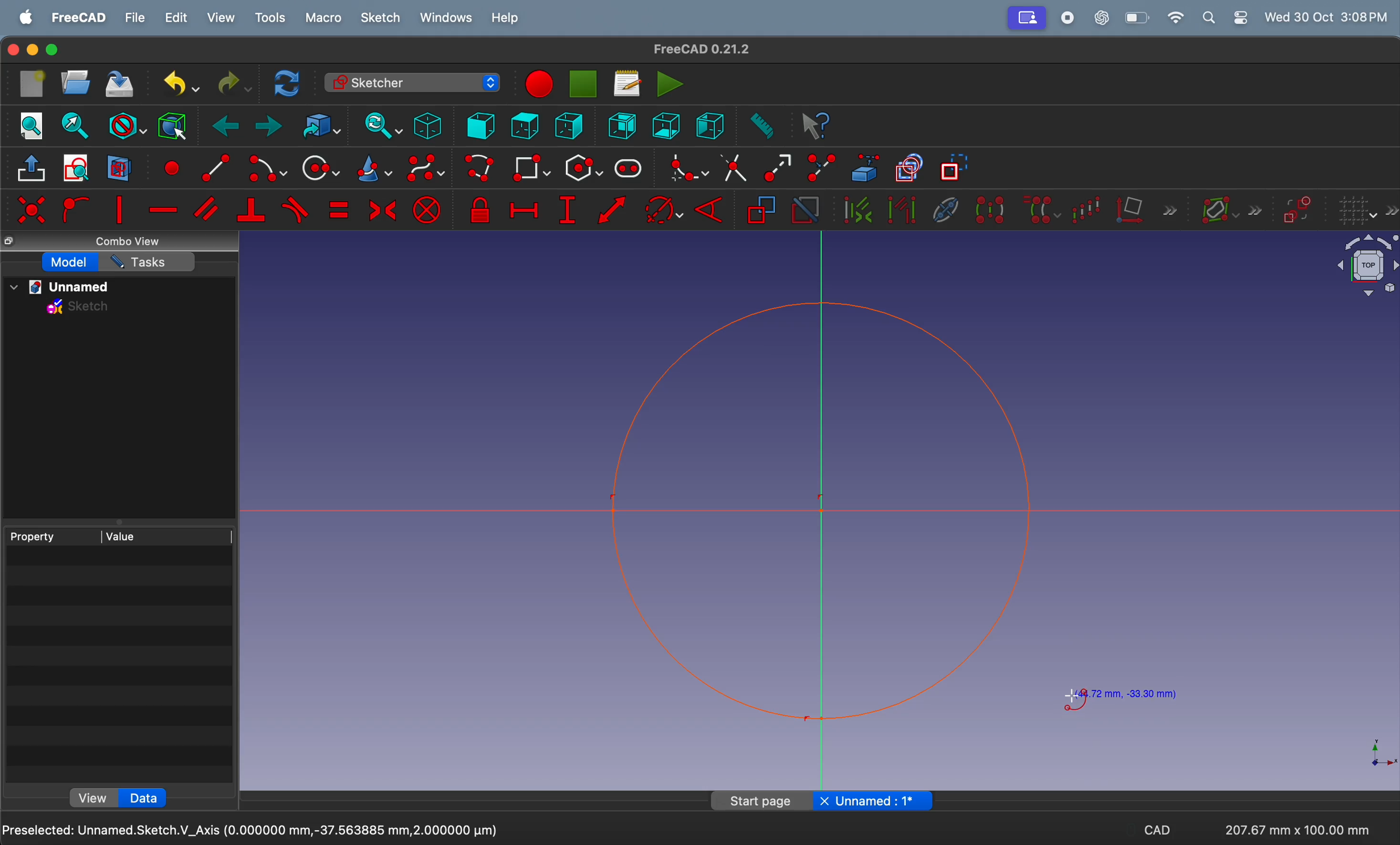  What do you see at coordinates (777, 166) in the screenshot?
I see `extend edge` at bounding box center [777, 166].